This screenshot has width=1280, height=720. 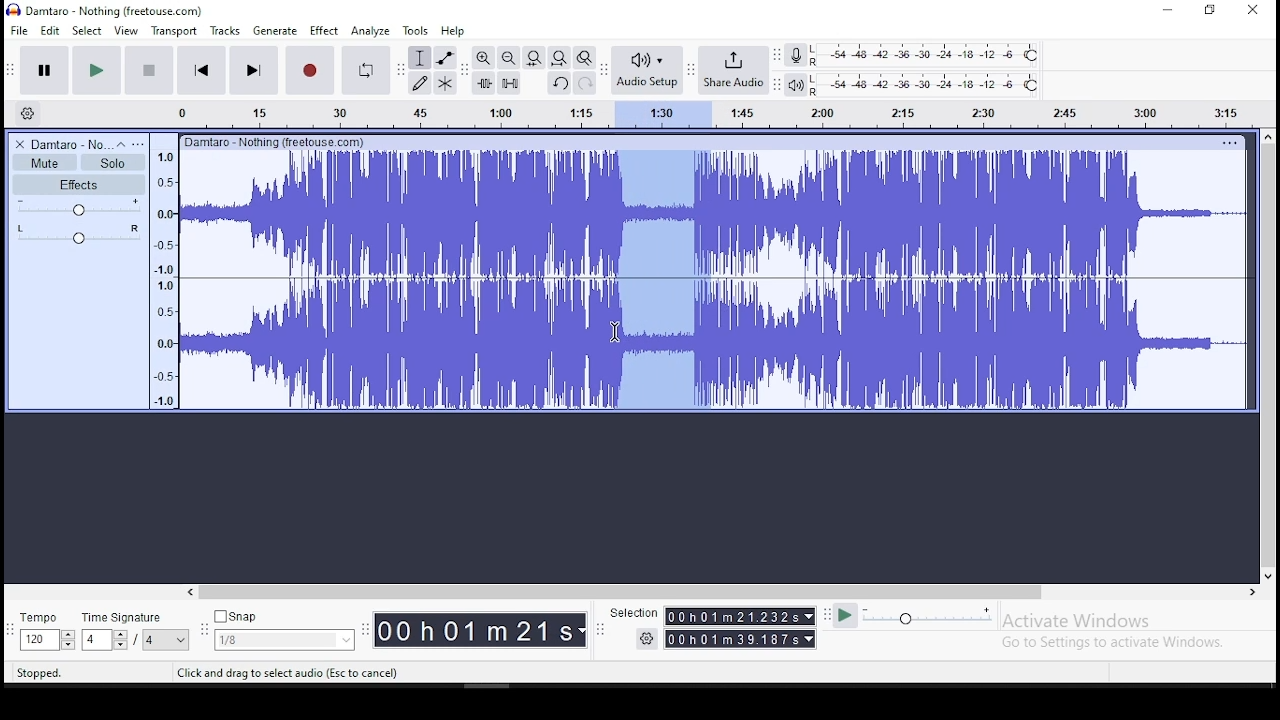 What do you see at coordinates (8, 629) in the screenshot?
I see `` at bounding box center [8, 629].